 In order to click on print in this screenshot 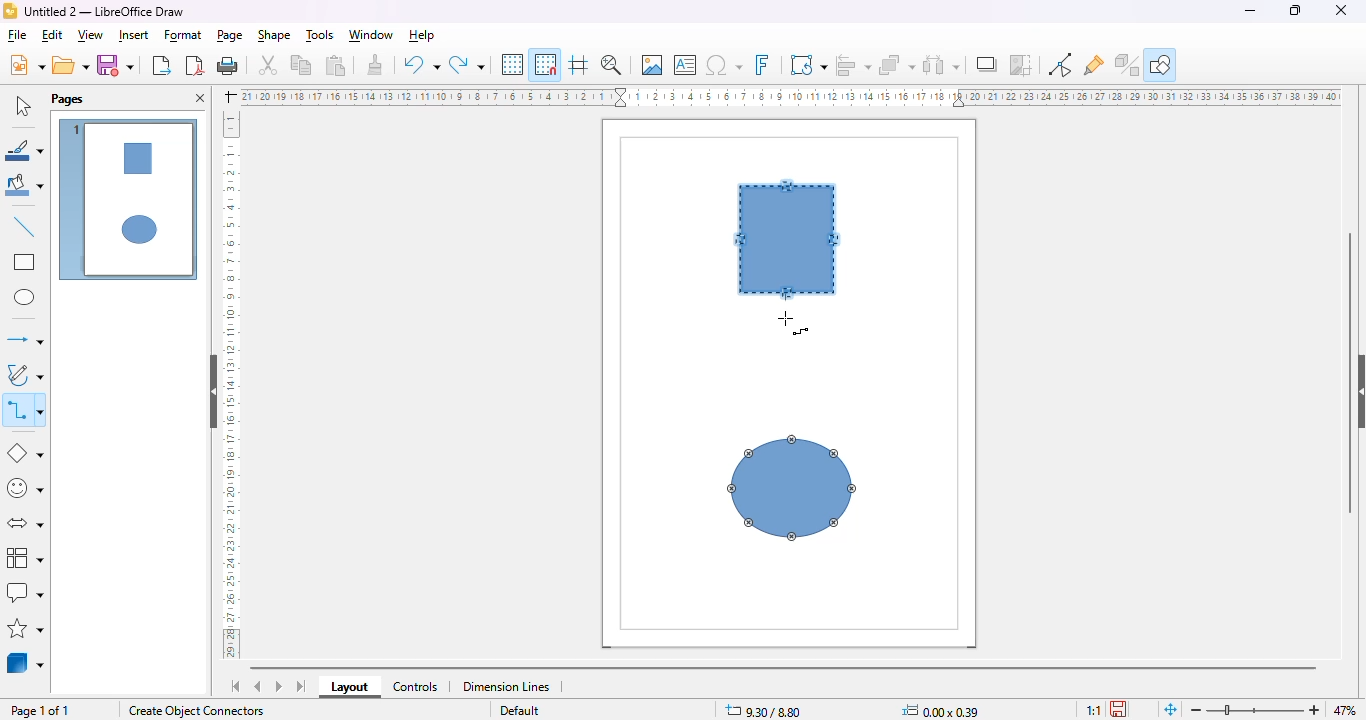, I will do `click(227, 65)`.